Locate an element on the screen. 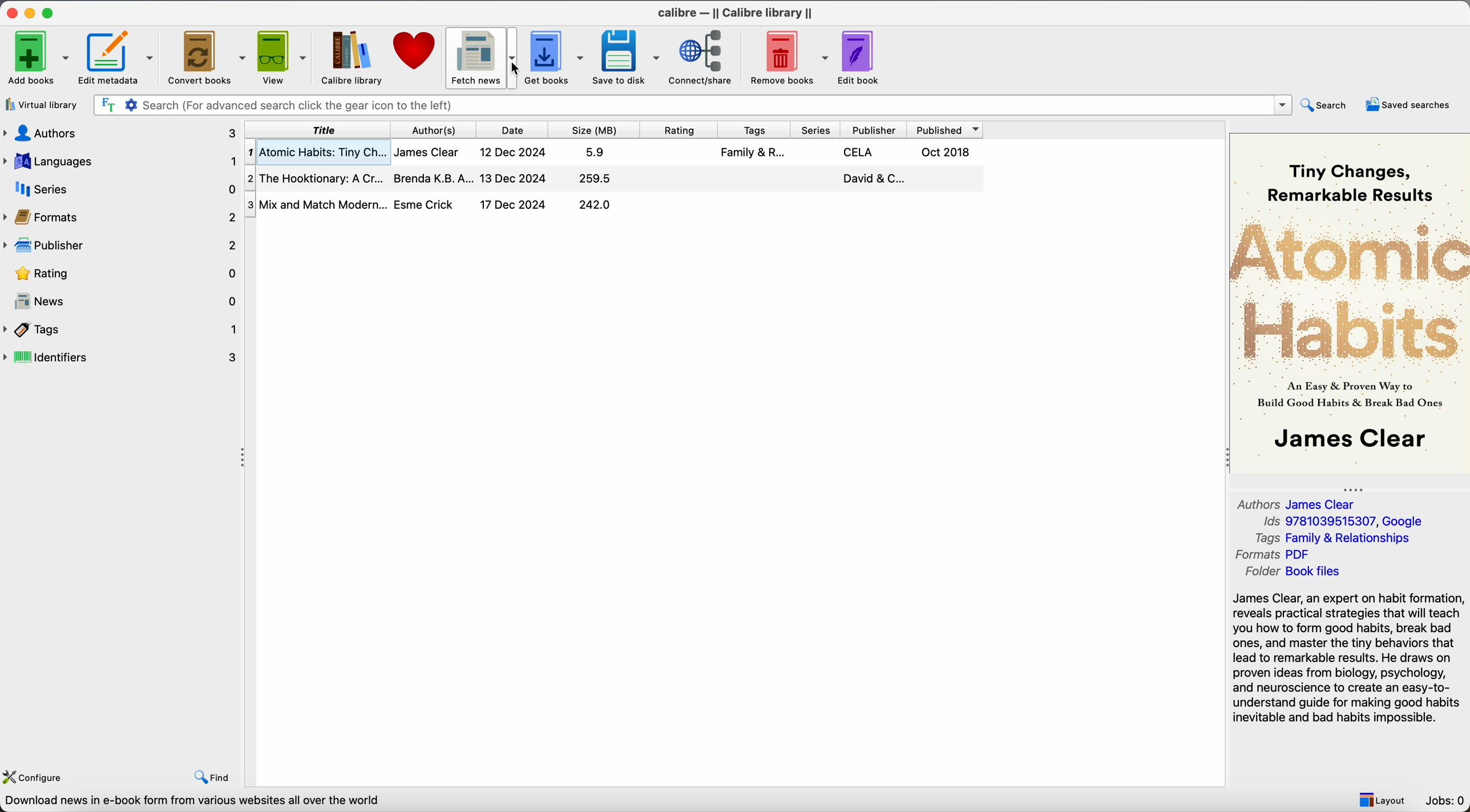 Image resolution: width=1470 pixels, height=812 pixels. Authors James Clear is located at coordinates (1298, 503).